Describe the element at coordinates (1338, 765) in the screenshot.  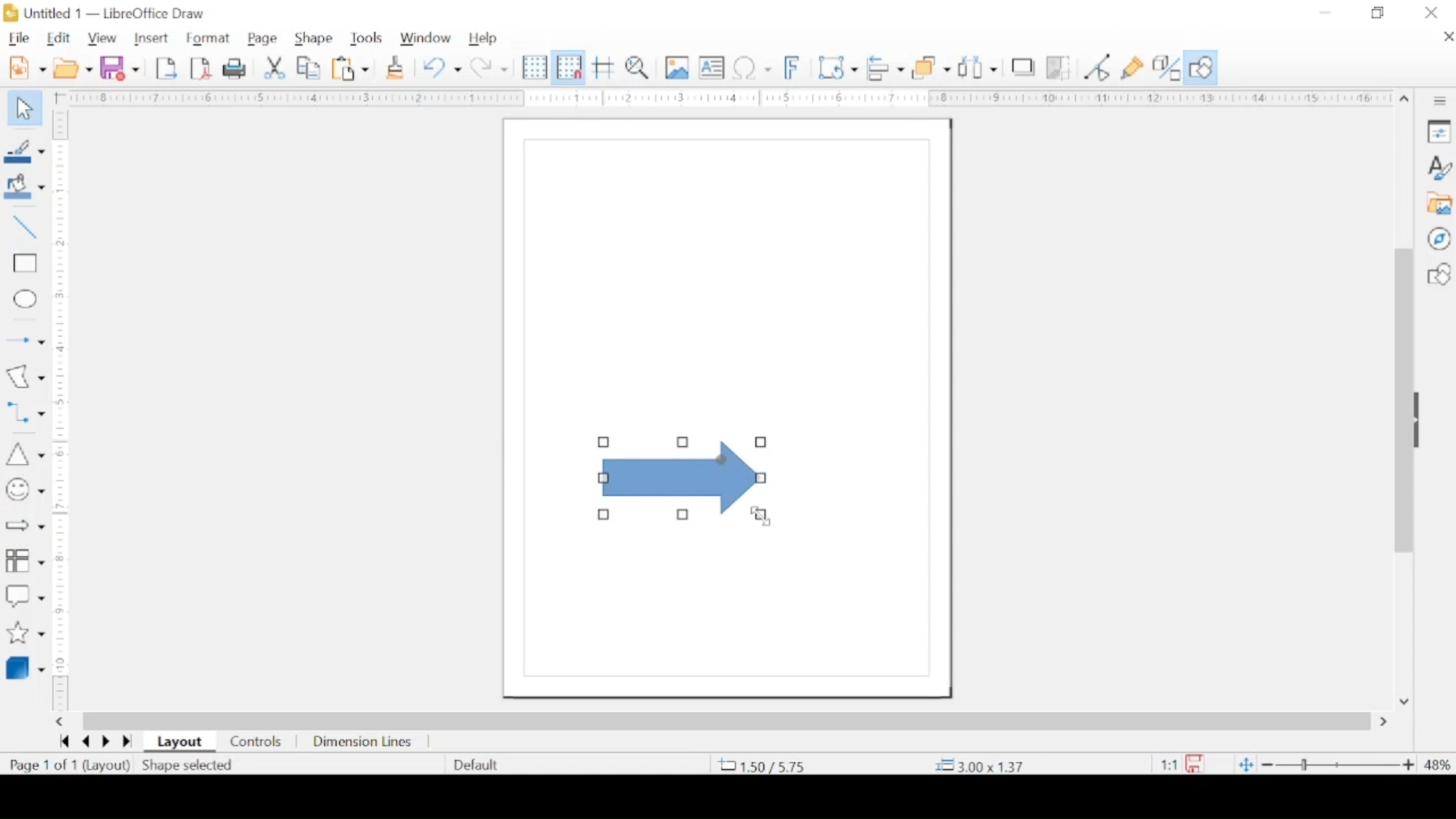
I see `zoom slider` at that location.